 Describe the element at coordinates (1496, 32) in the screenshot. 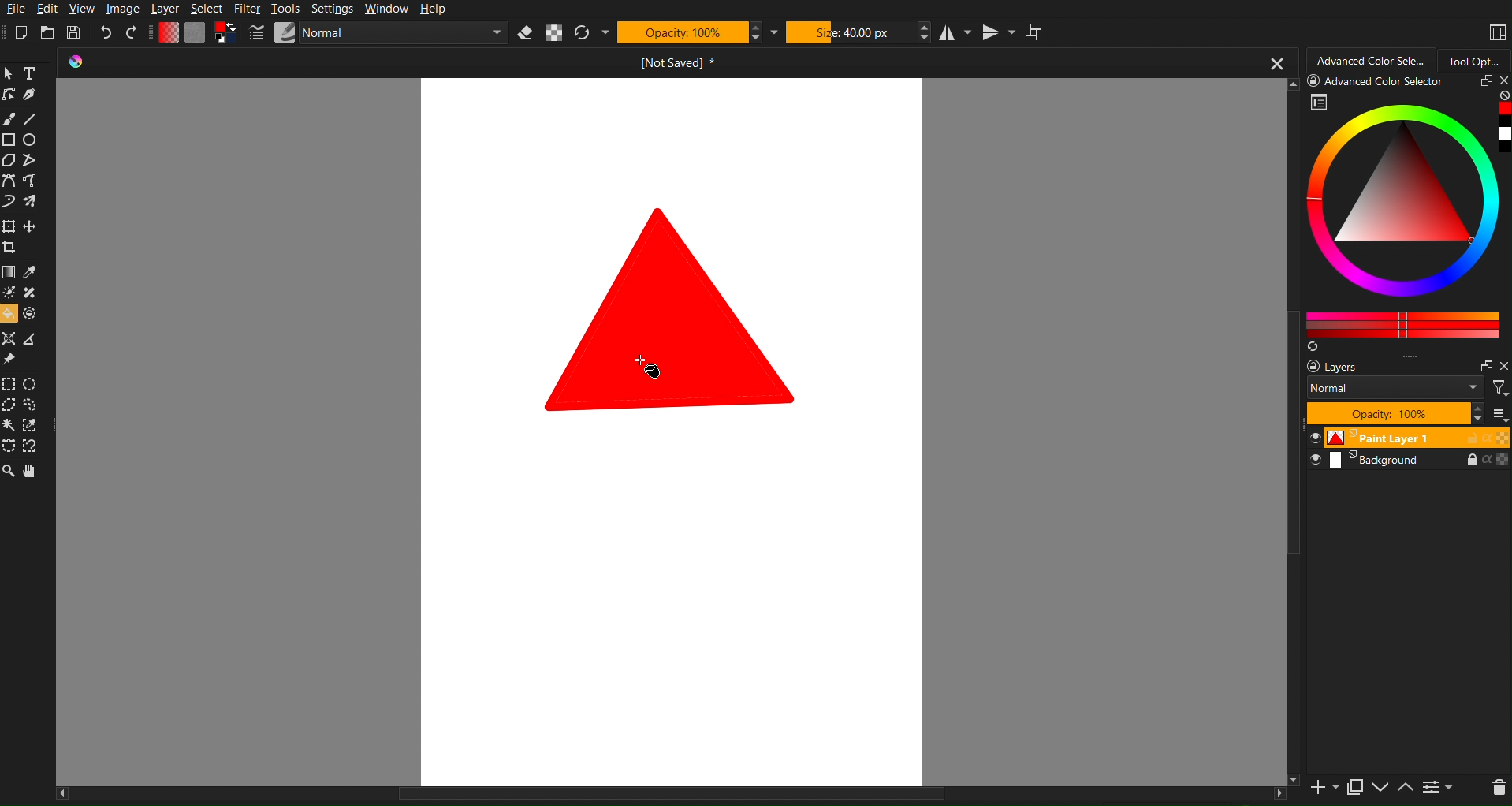

I see `Workspaces` at that location.